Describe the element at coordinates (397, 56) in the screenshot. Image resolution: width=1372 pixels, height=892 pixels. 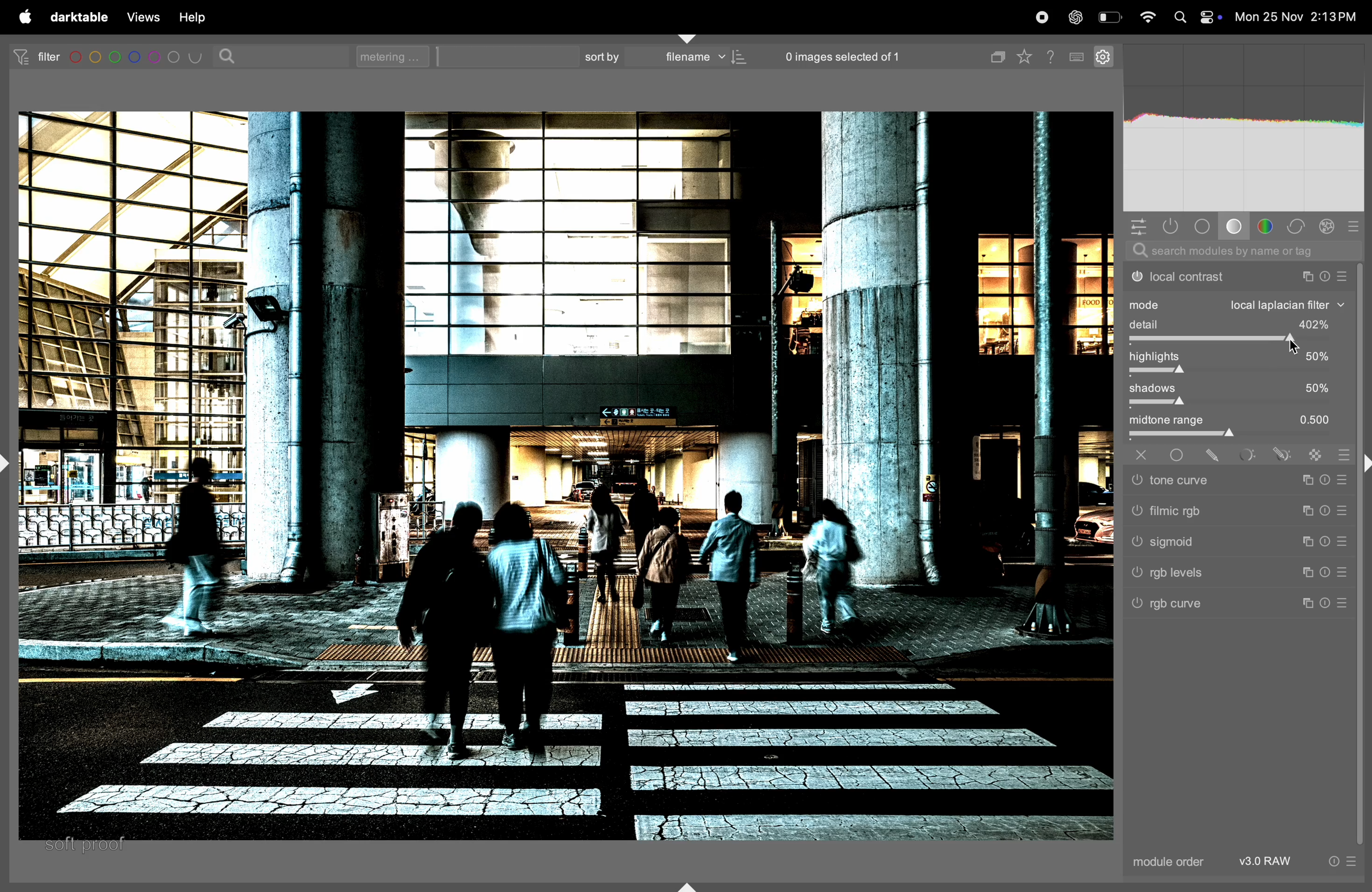
I see `metering` at that location.